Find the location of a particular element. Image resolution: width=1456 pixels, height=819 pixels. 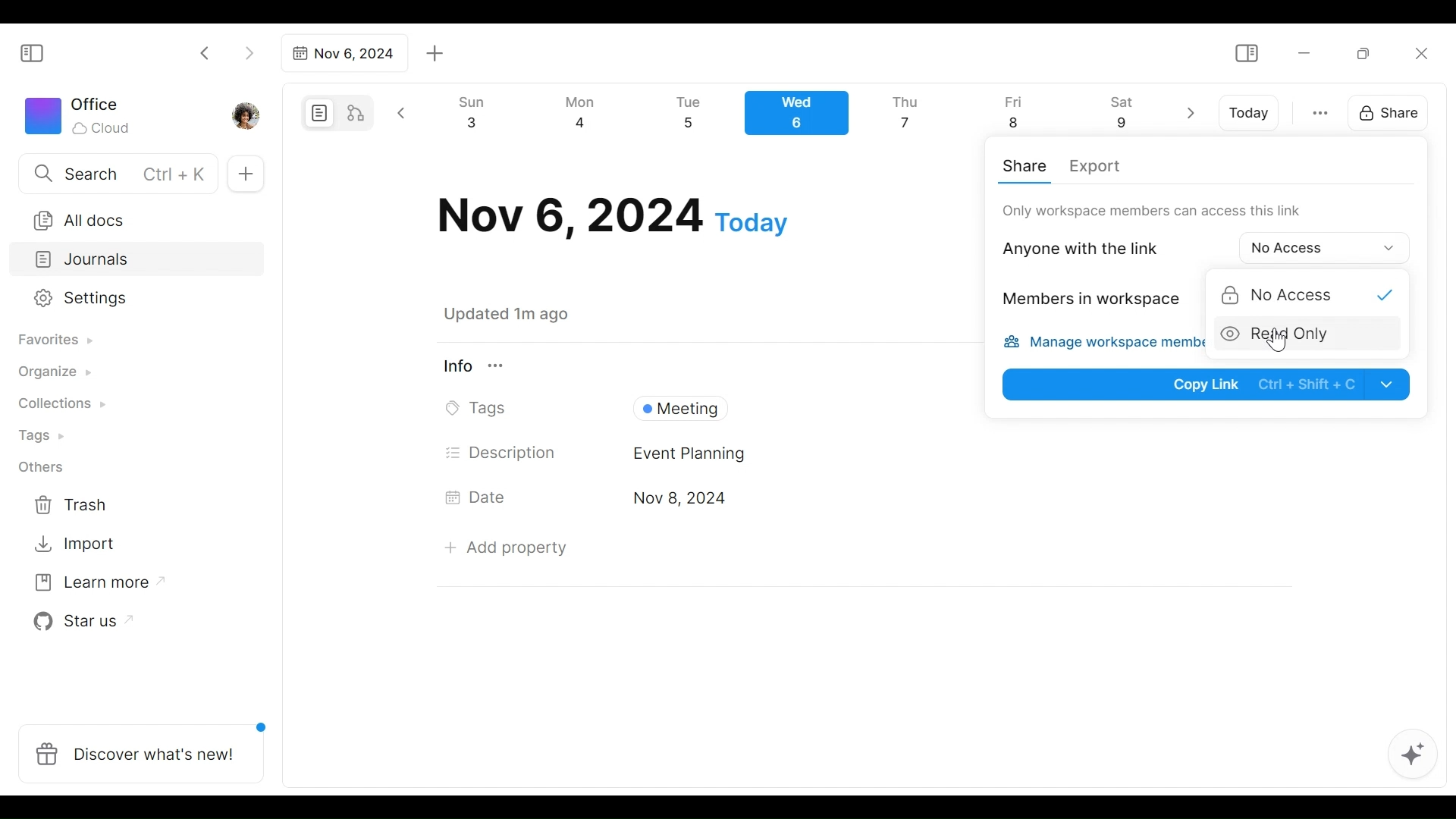

Click to go forward is located at coordinates (249, 52).